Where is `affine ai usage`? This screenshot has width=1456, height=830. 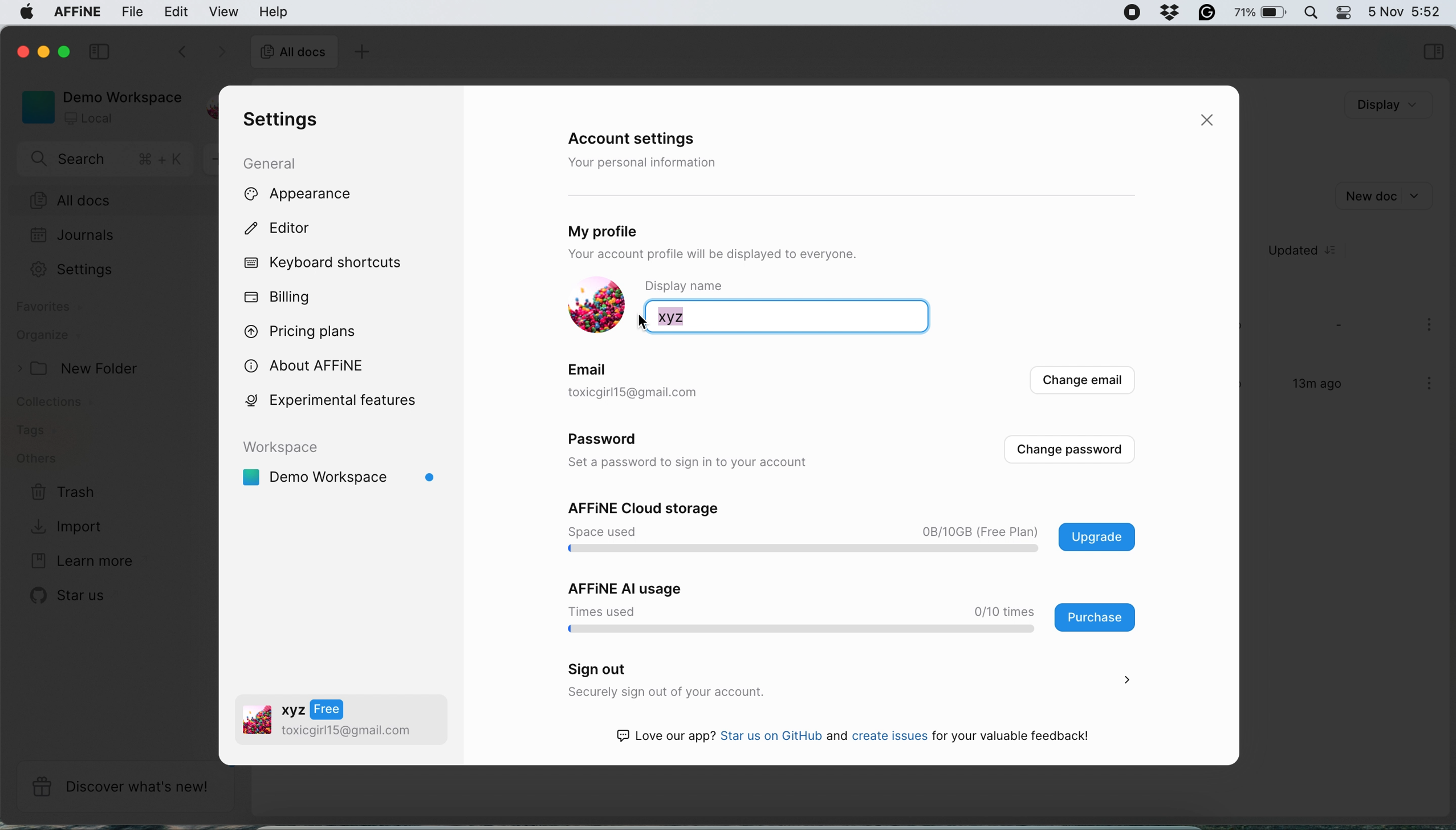 affine ai usage is located at coordinates (845, 607).